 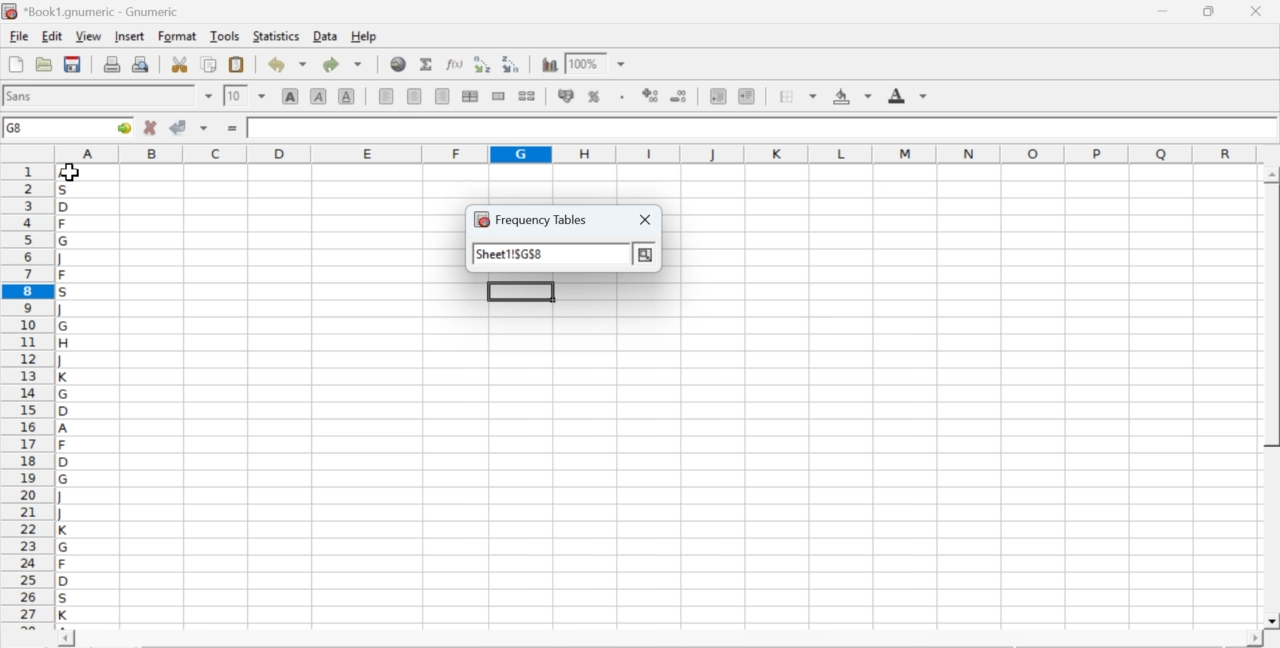 I want to click on bold, so click(x=291, y=95).